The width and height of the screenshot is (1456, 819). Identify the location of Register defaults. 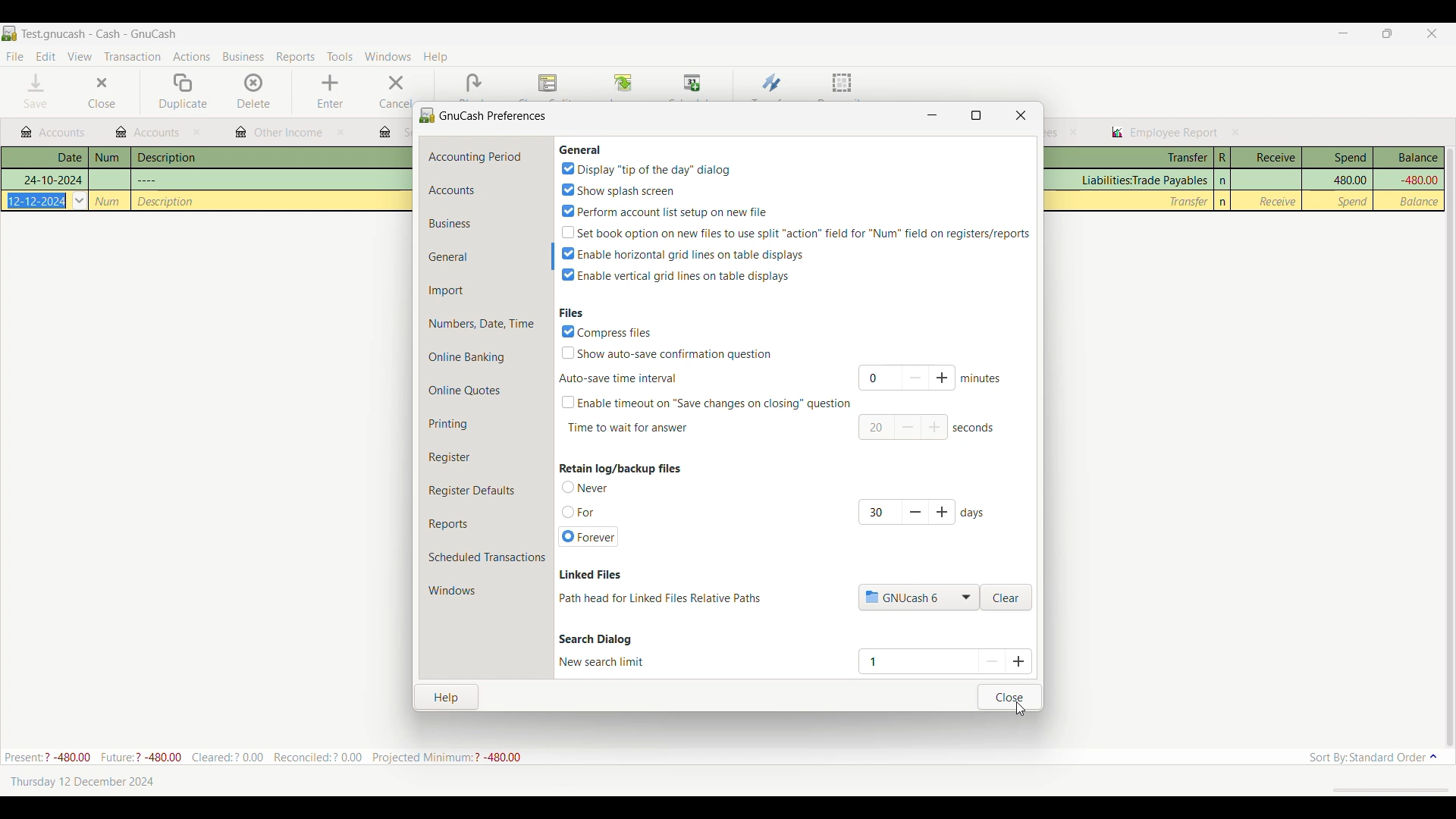
(488, 491).